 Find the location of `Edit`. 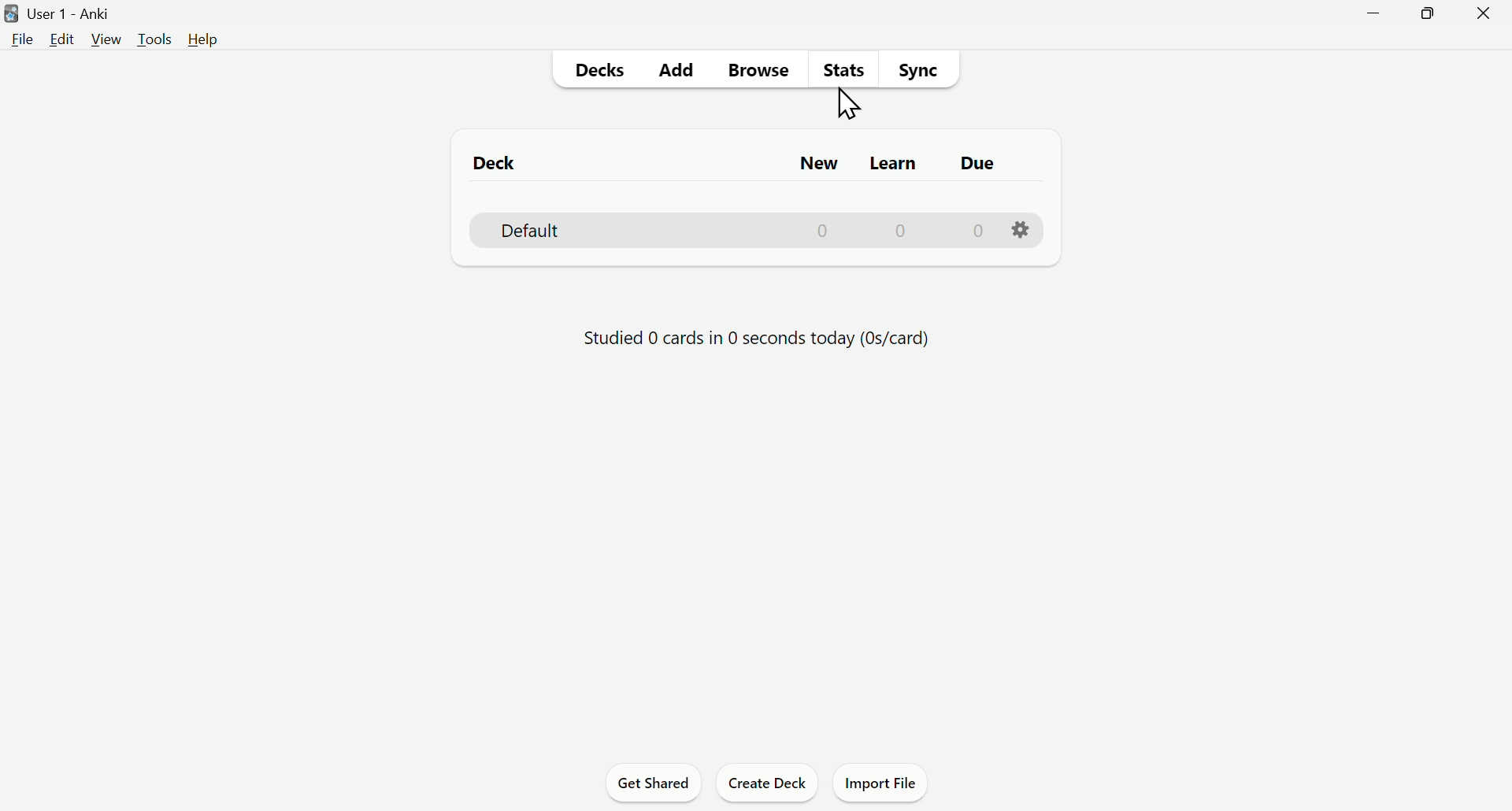

Edit is located at coordinates (61, 39).